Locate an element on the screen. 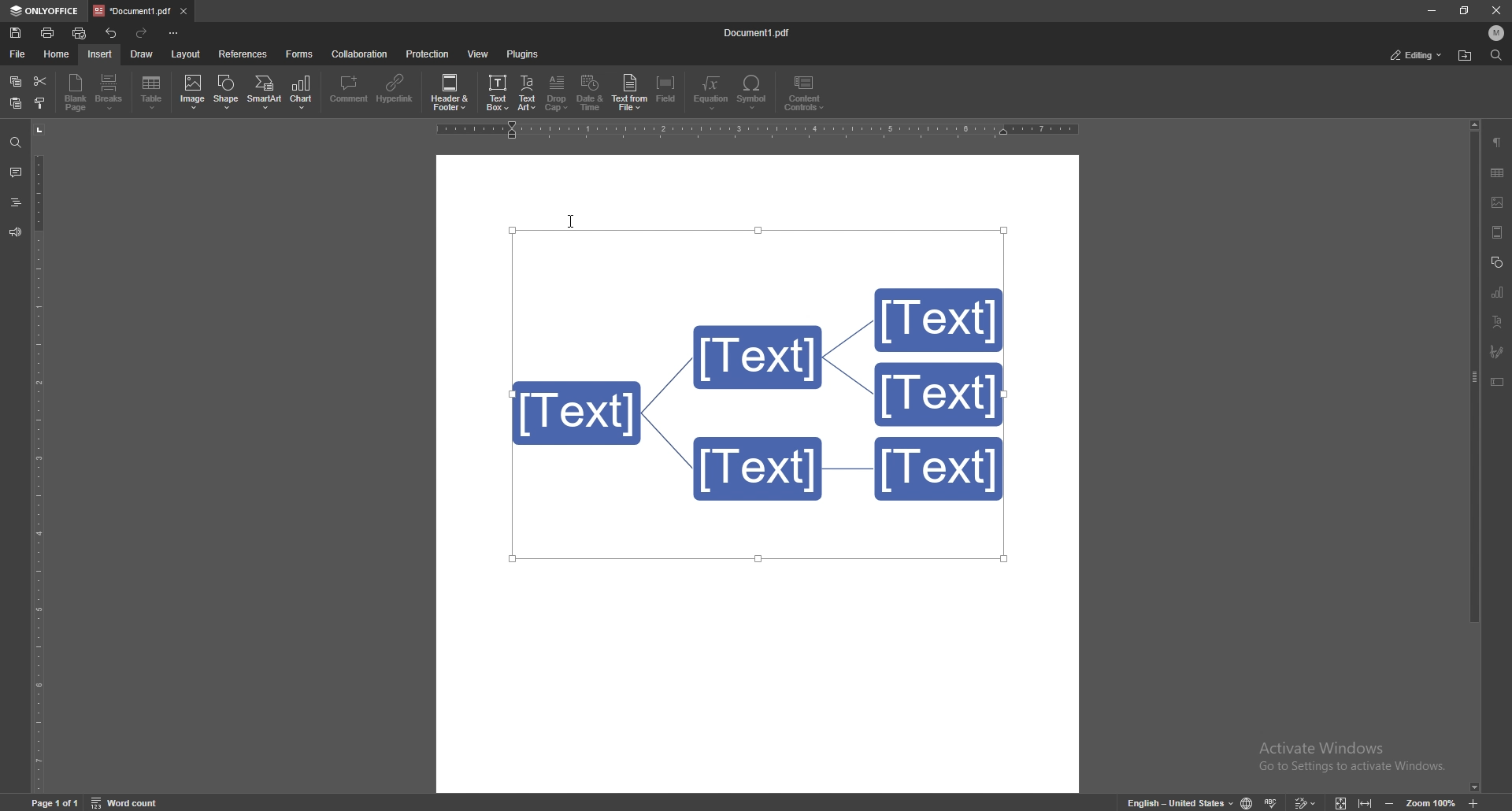  view is located at coordinates (478, 54).